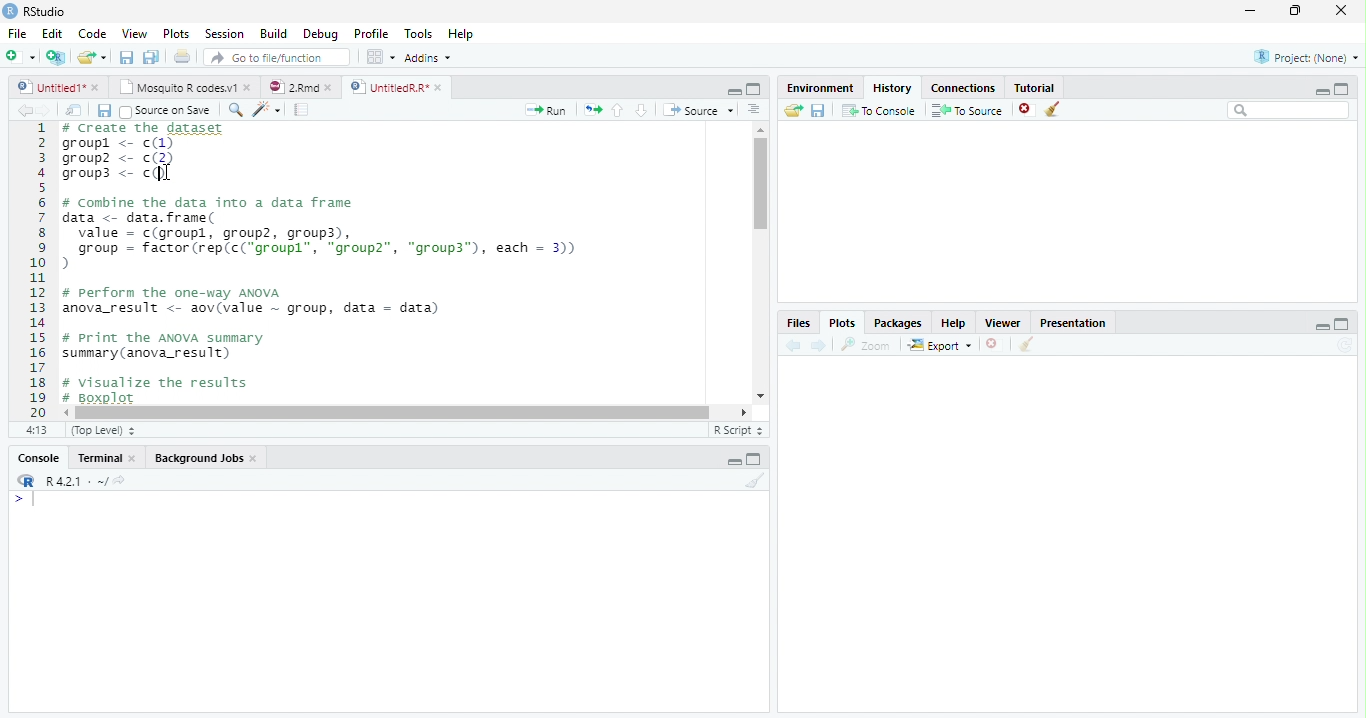 Image resolution: width=1366 pixels, height=718 pixels. I want to click on Plots, so click(841, 323).